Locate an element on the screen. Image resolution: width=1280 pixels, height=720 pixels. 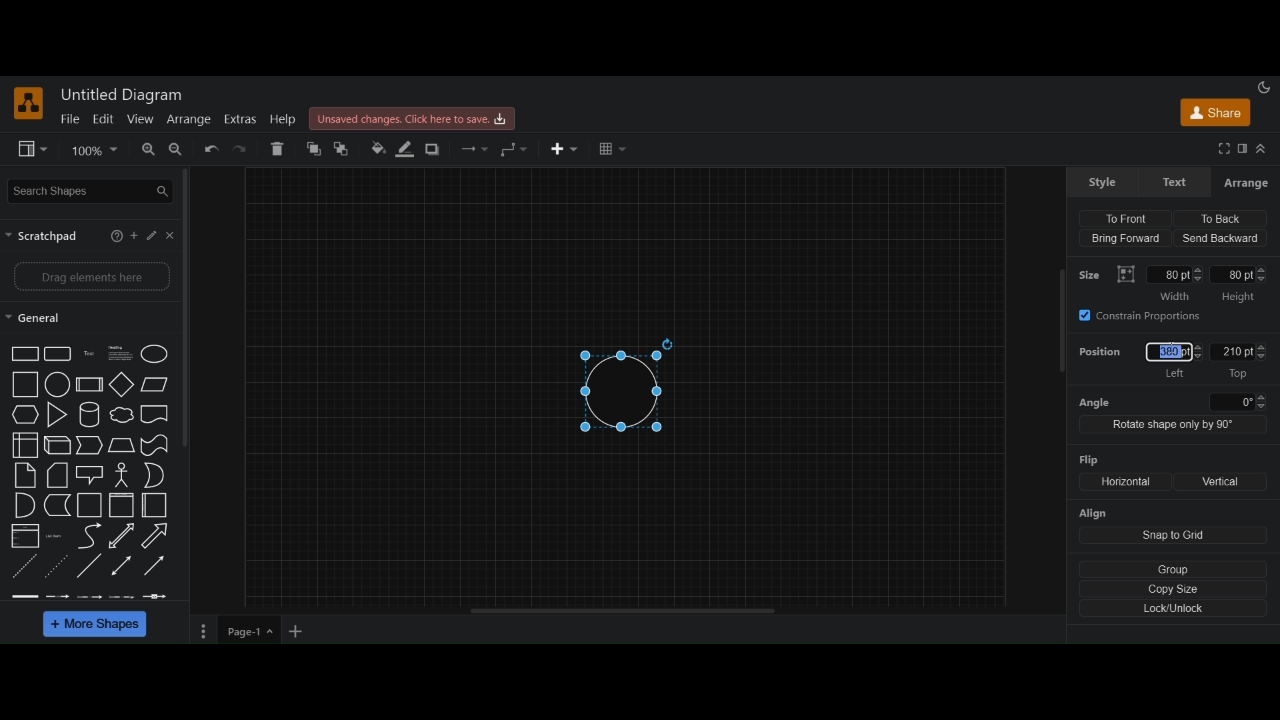
height is located at coordinates (1240, 285).